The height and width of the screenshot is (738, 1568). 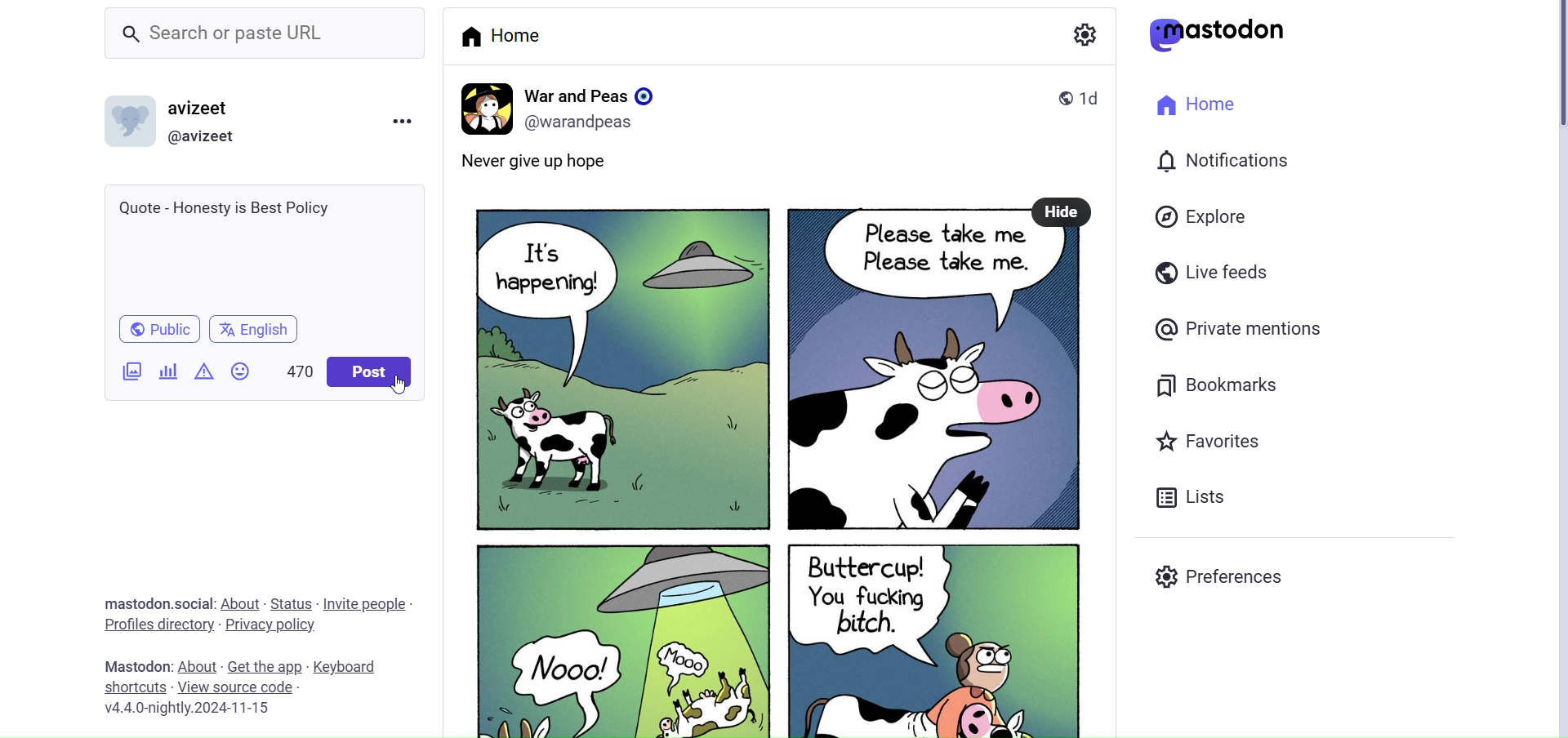 What do you see at coordinates (1207, 440) in the screenshot?
I see `Favorites` at bounding box center [1207, 440].